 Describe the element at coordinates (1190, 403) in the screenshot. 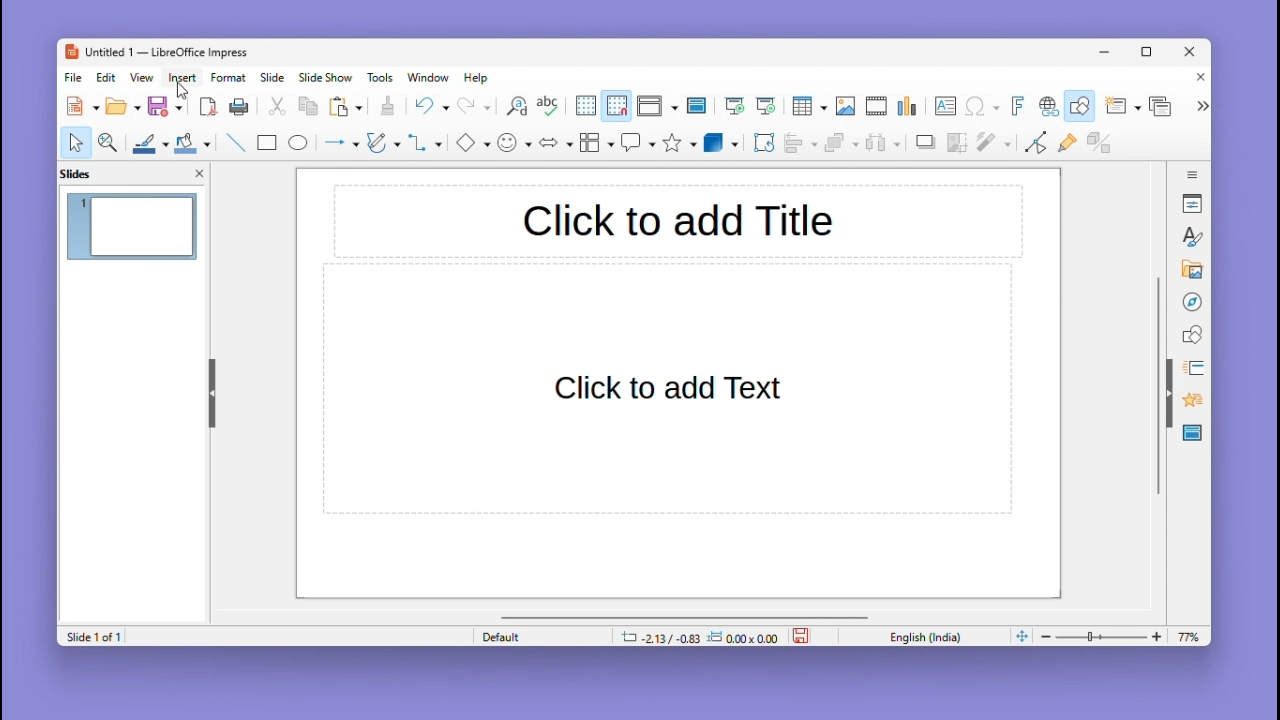

I see `Effects` at that location.